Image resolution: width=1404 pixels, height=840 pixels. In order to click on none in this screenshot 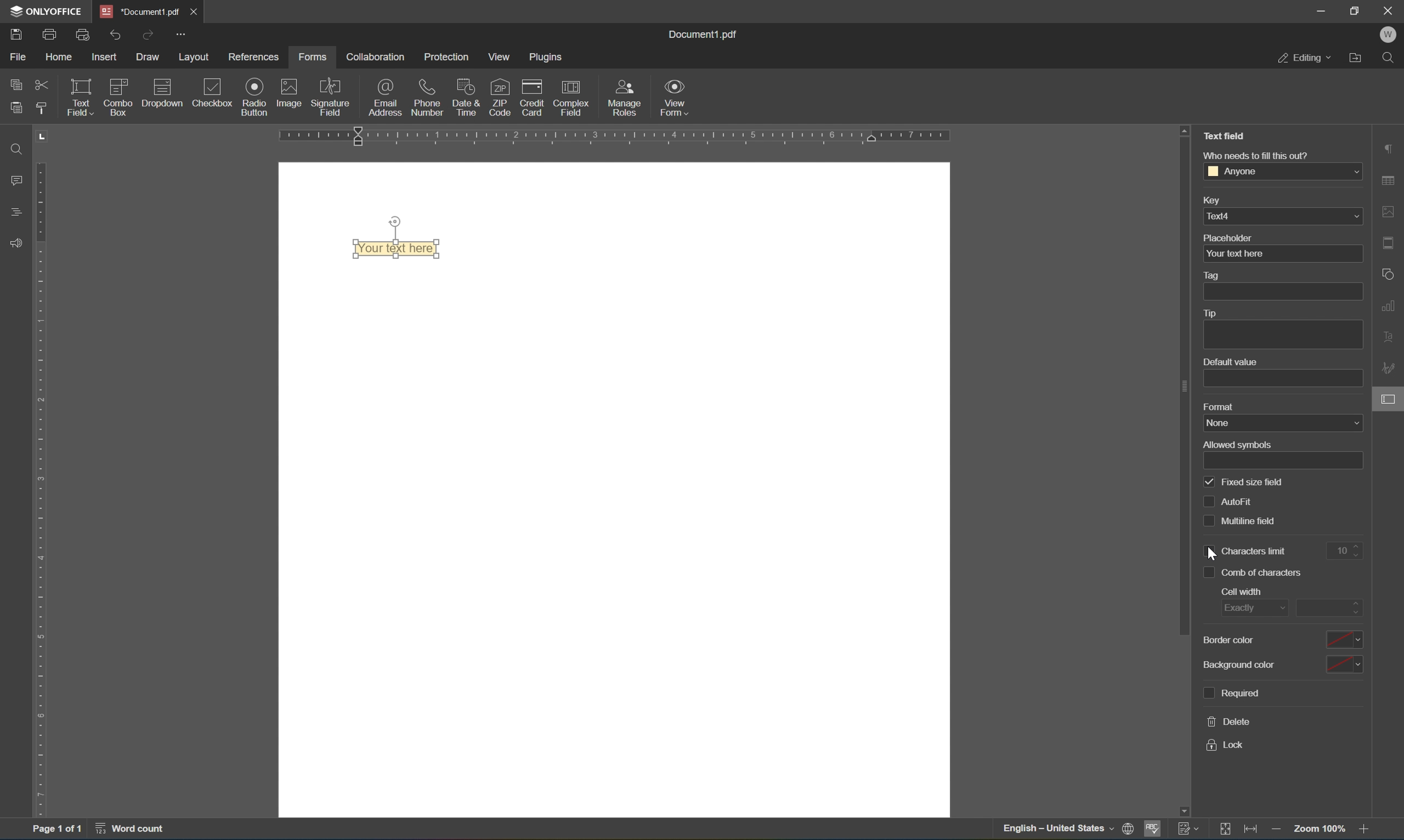, I will do `click(1284, 423)`.